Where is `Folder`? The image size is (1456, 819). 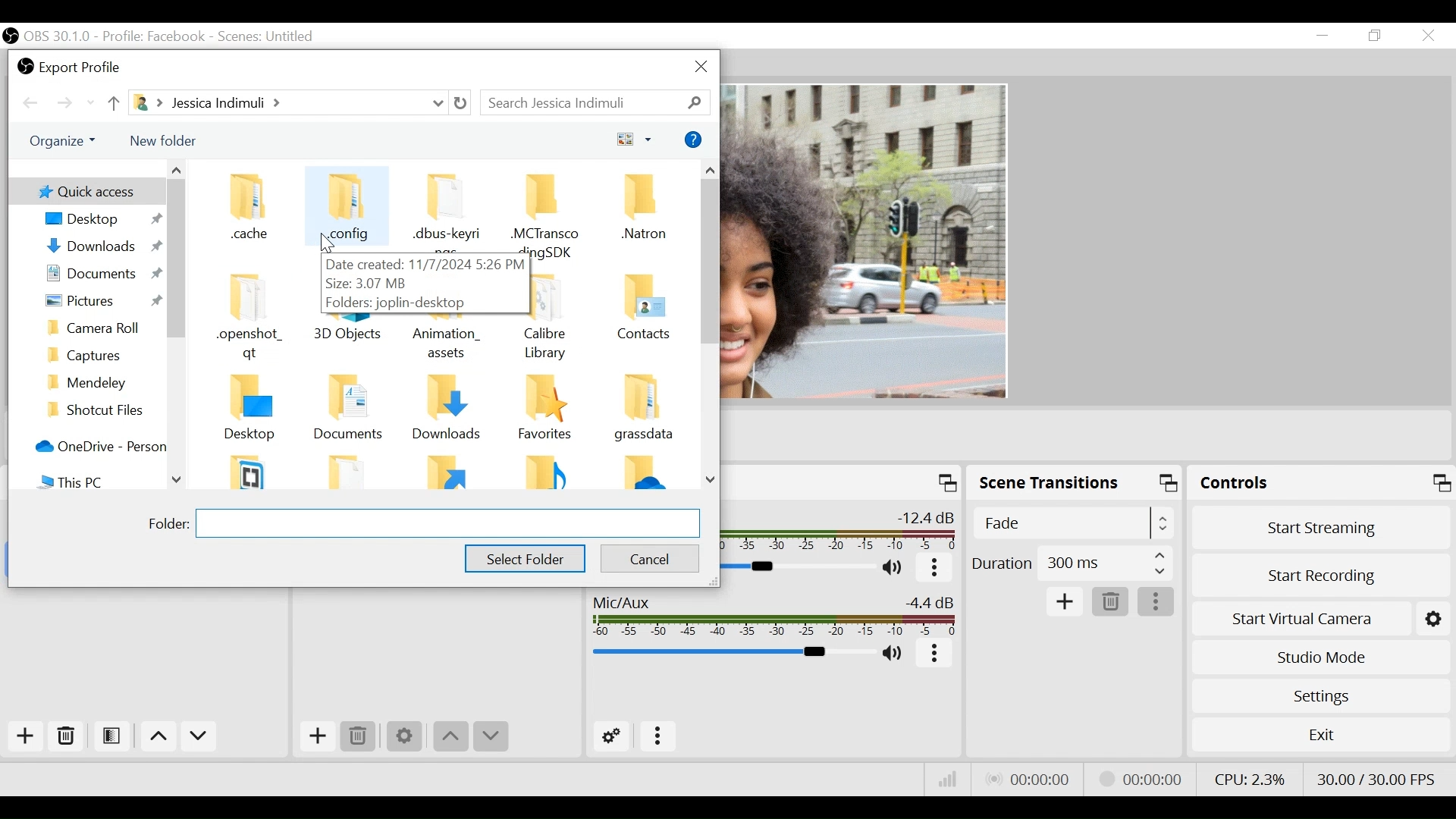
Folder is located at coordinates (639, 215).